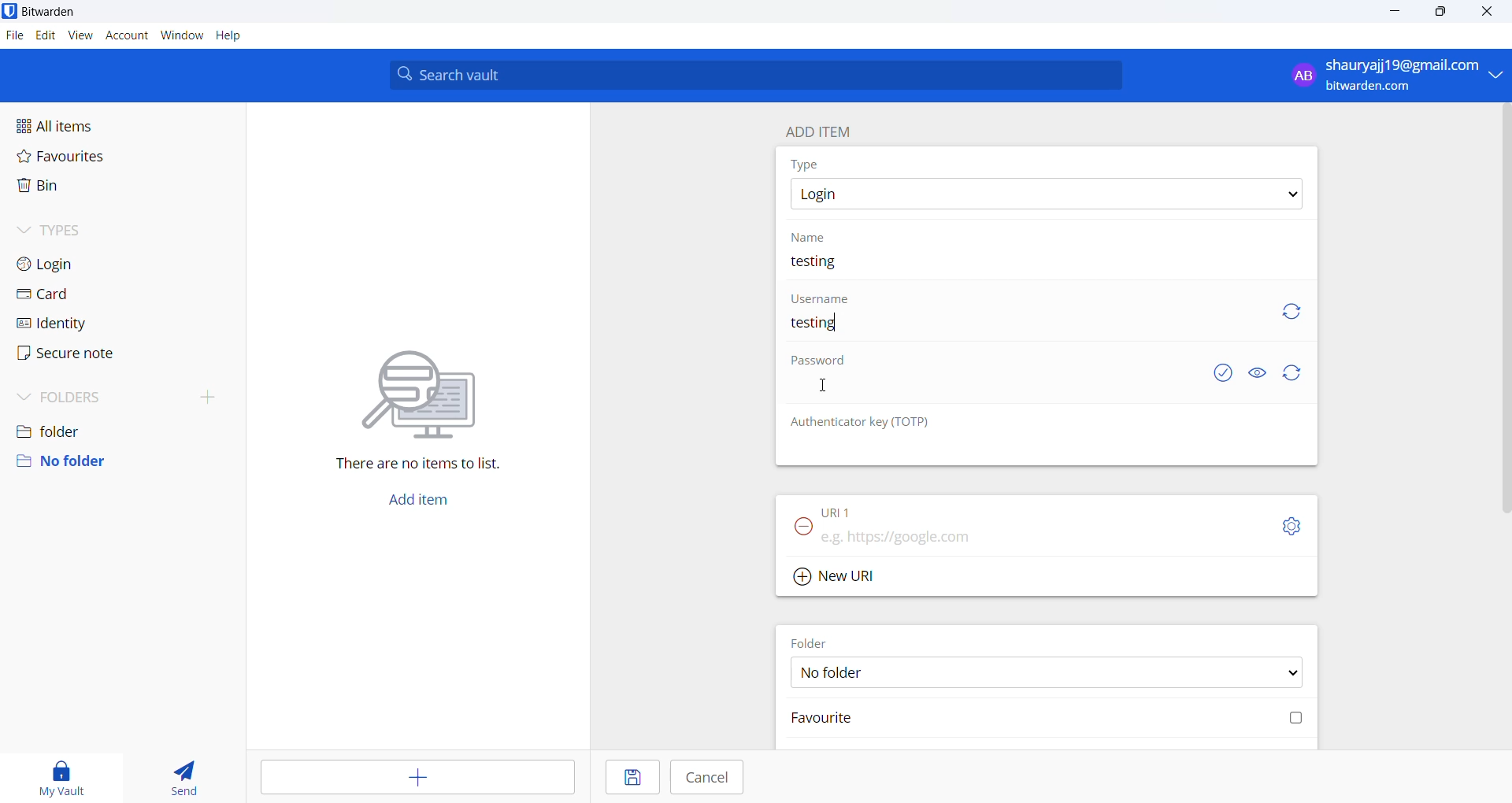  I want to click on OTP input box, so click(1026, 451).